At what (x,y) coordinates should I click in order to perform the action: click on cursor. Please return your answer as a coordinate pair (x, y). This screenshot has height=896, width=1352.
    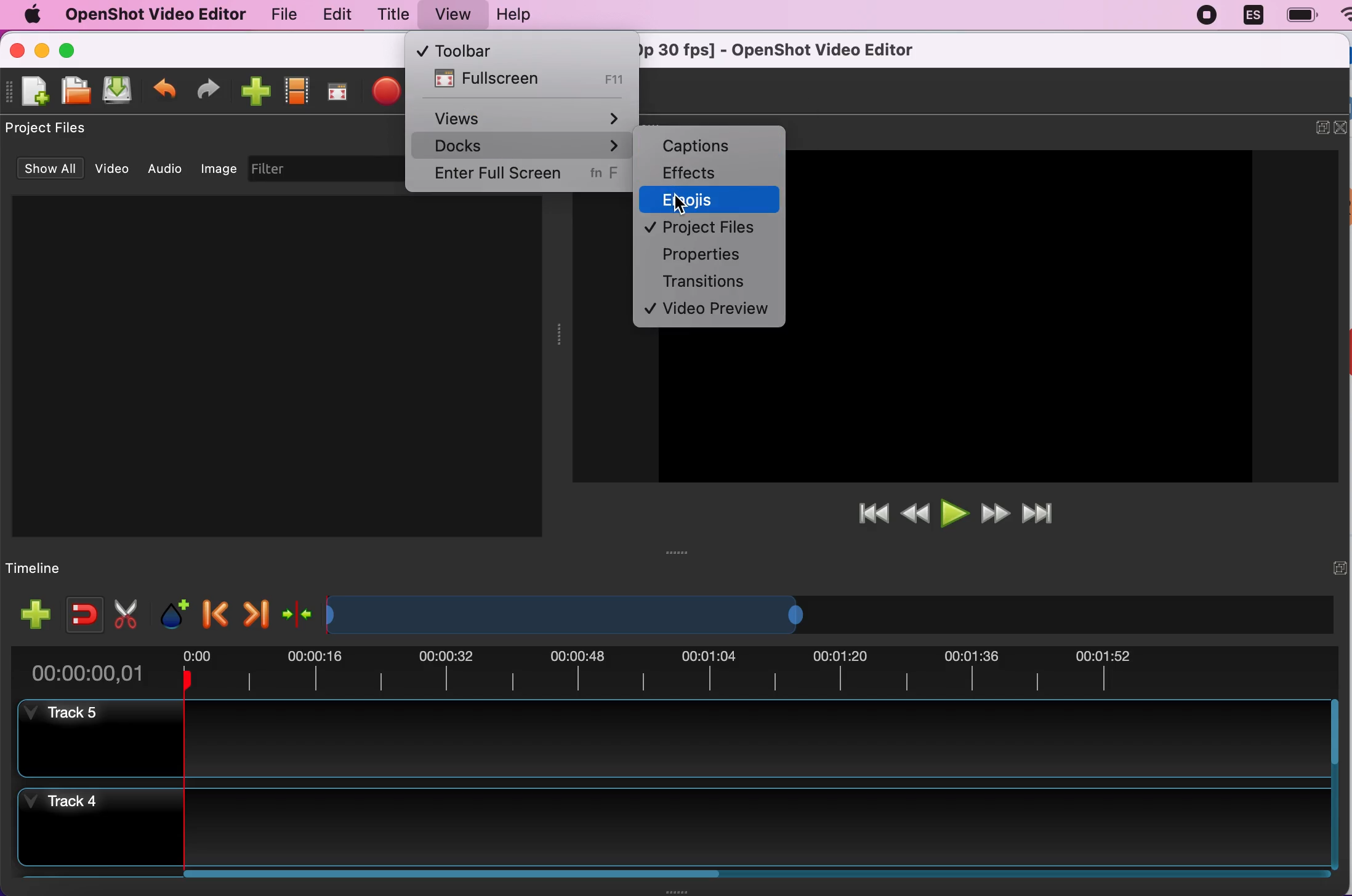
    Looking at the image, I should click on (675, 206).